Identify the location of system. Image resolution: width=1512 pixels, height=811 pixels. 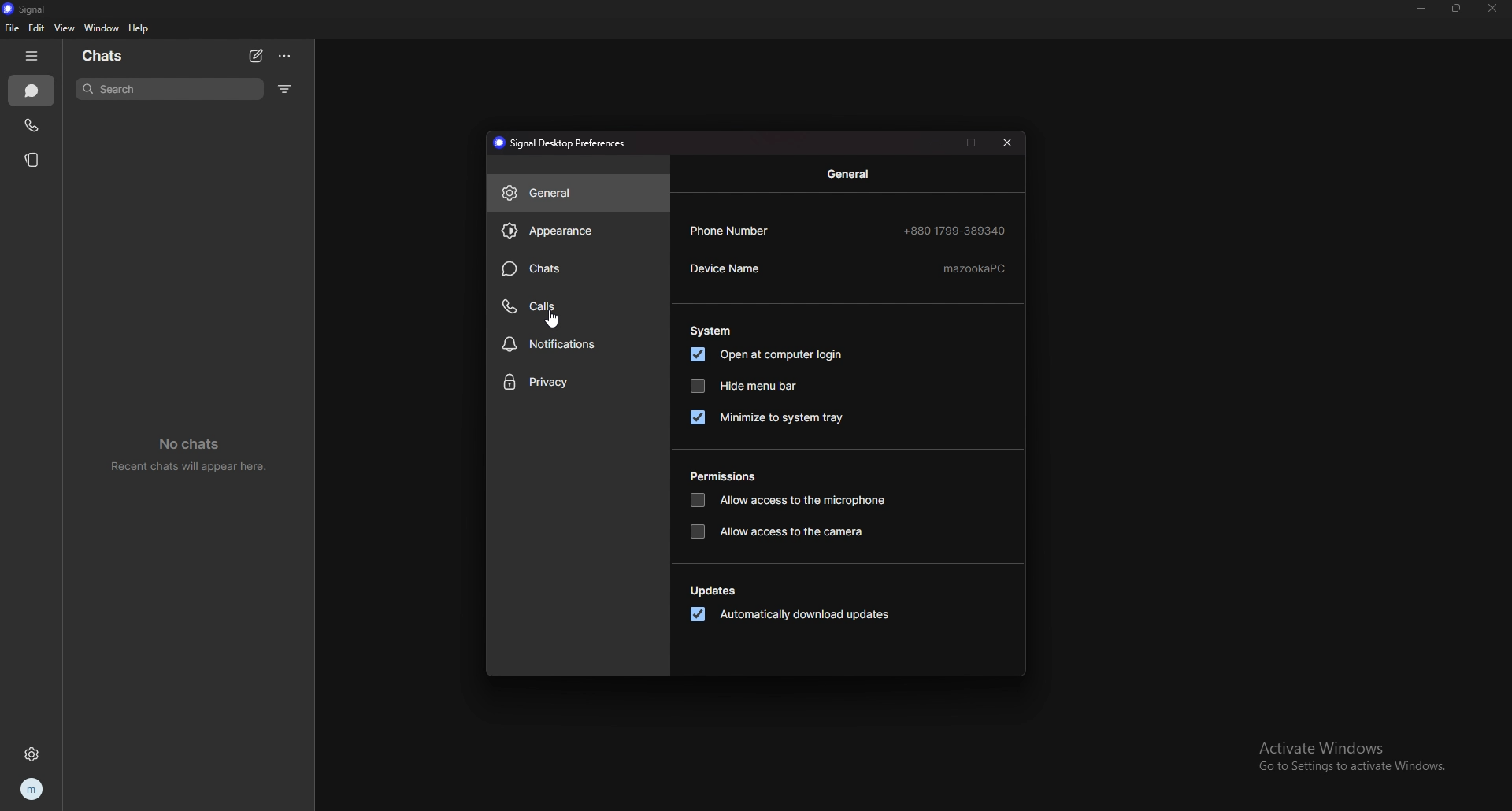
(710, 331).